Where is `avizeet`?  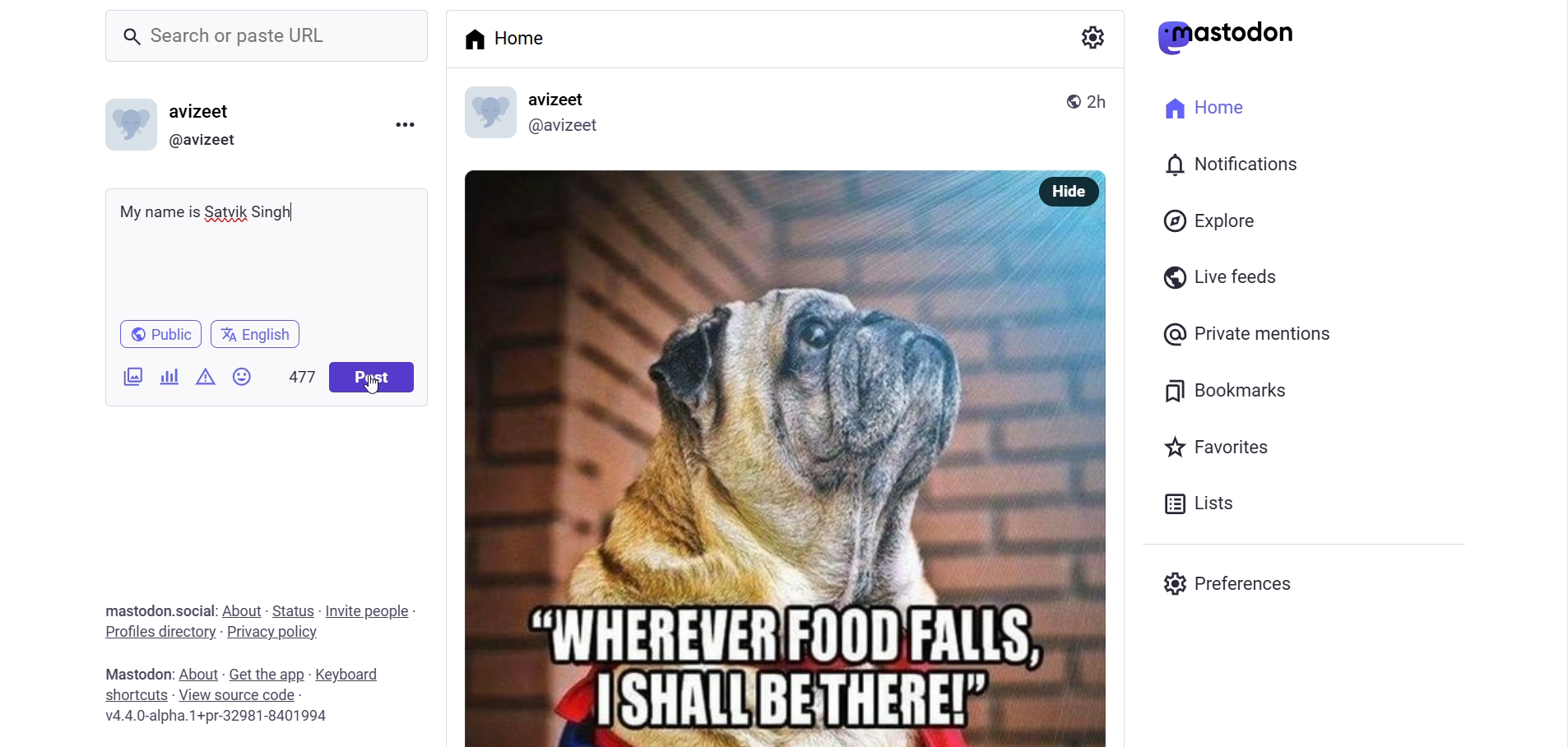 avizeet is located at coordinates (206, 113).